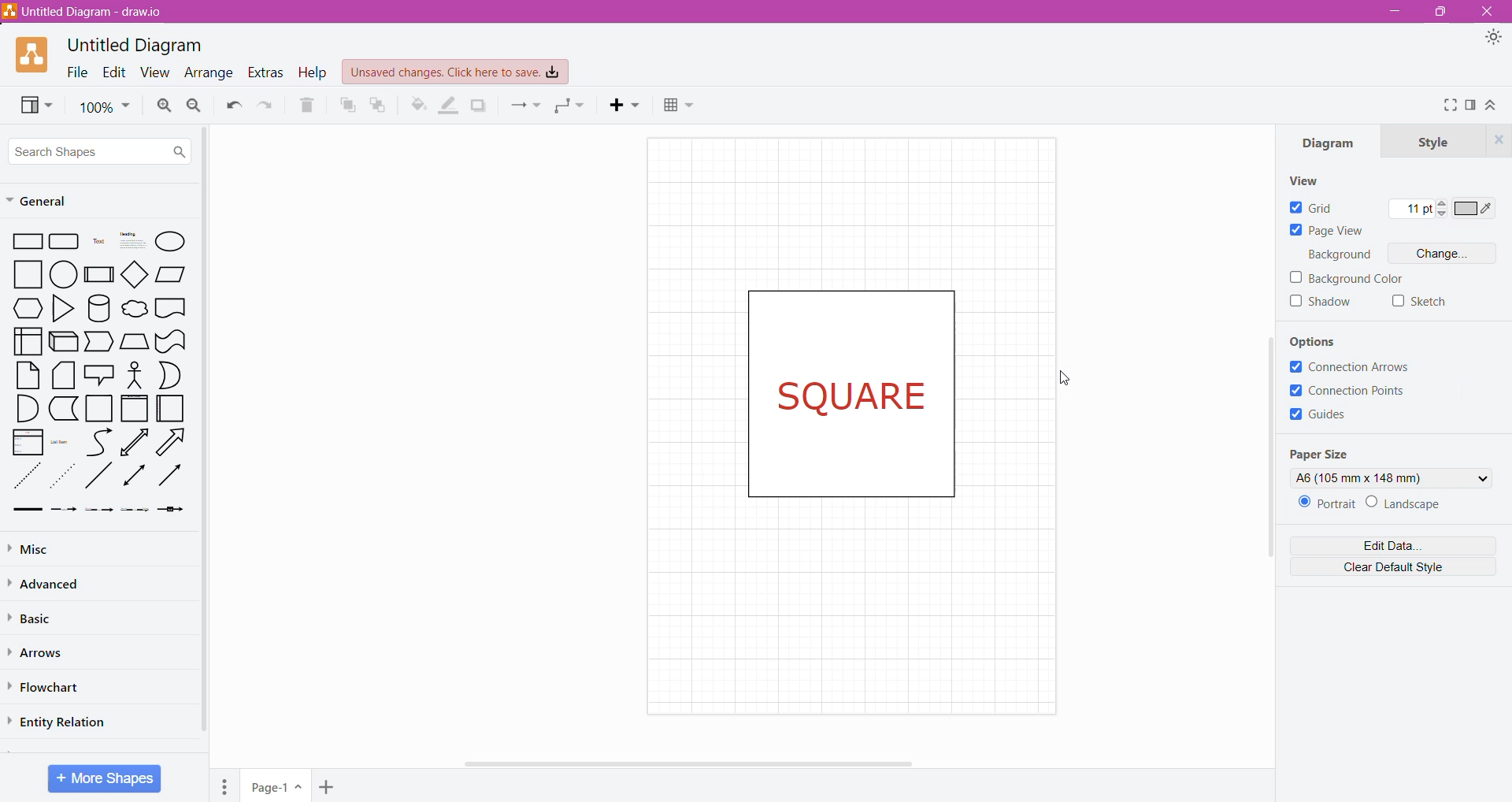 Image resolution: width=1512 pixels, height=802 pixels. I want to click on Undo, so click(269, 104).